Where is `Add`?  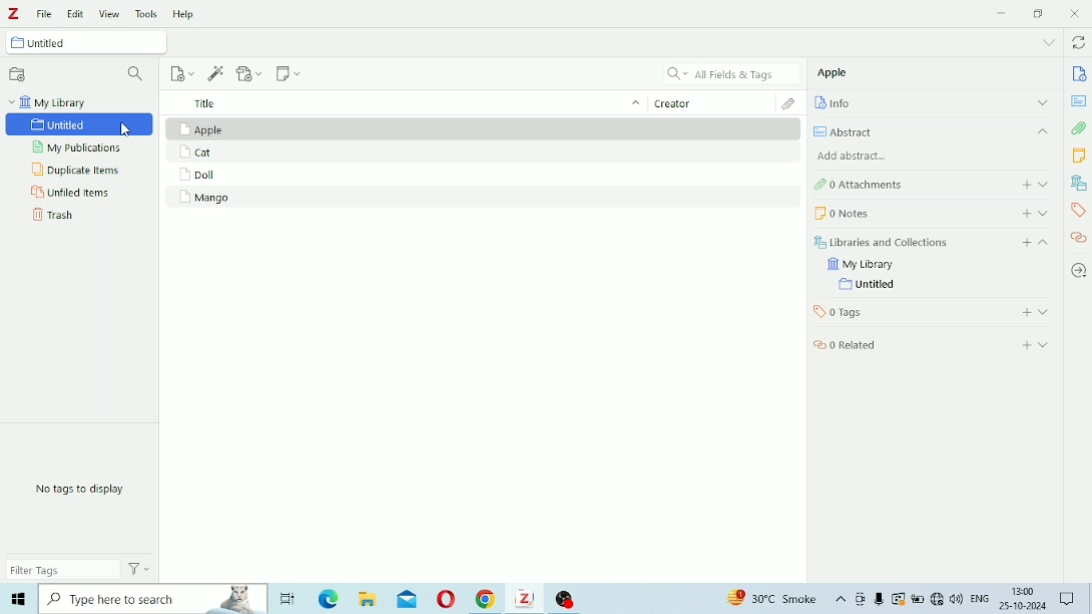
Add is located at coordinates (1027, 243).